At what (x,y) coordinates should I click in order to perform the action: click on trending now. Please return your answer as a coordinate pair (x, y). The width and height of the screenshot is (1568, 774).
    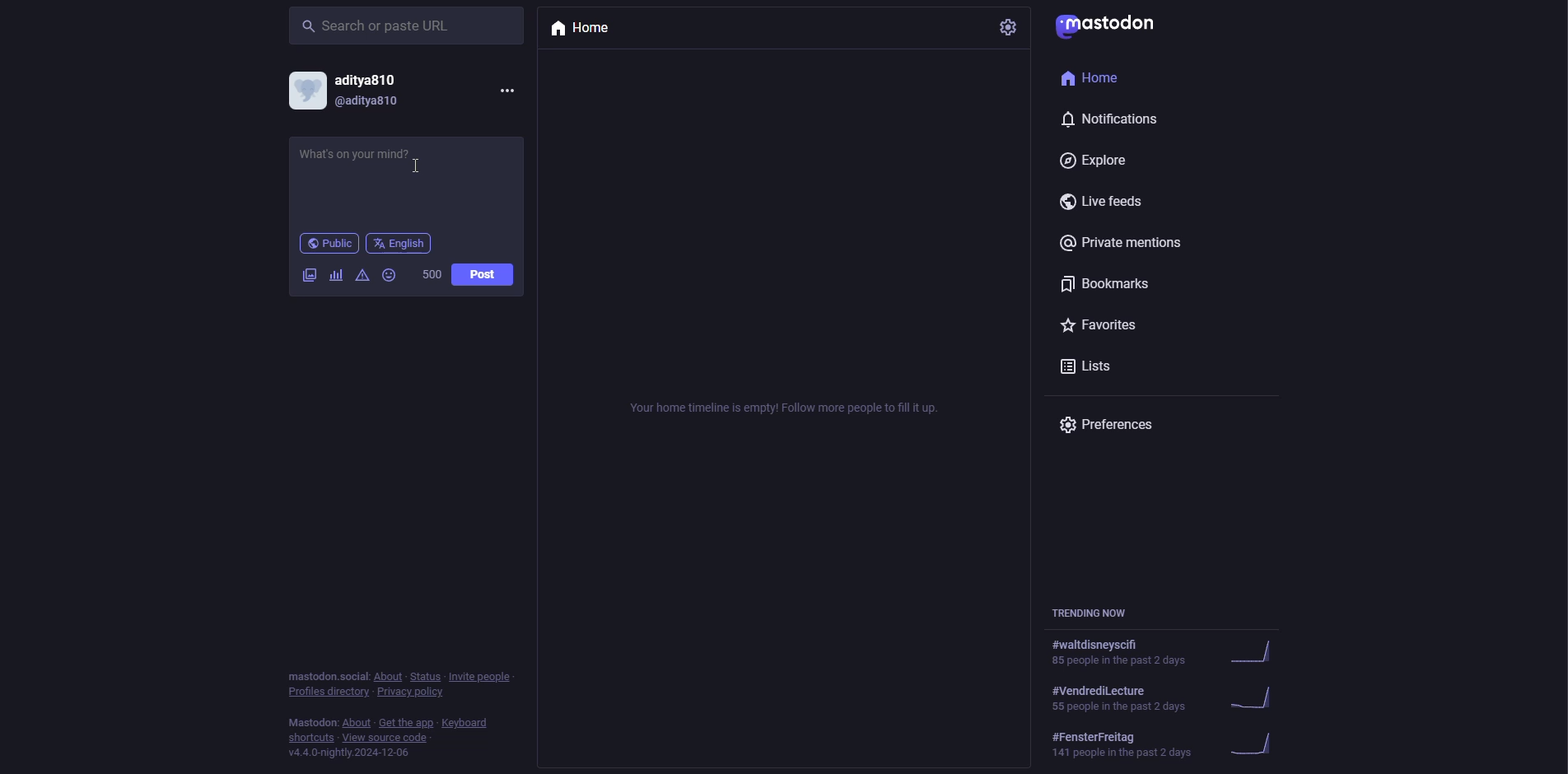
    Looking at the image, I should click on (1169, 697).